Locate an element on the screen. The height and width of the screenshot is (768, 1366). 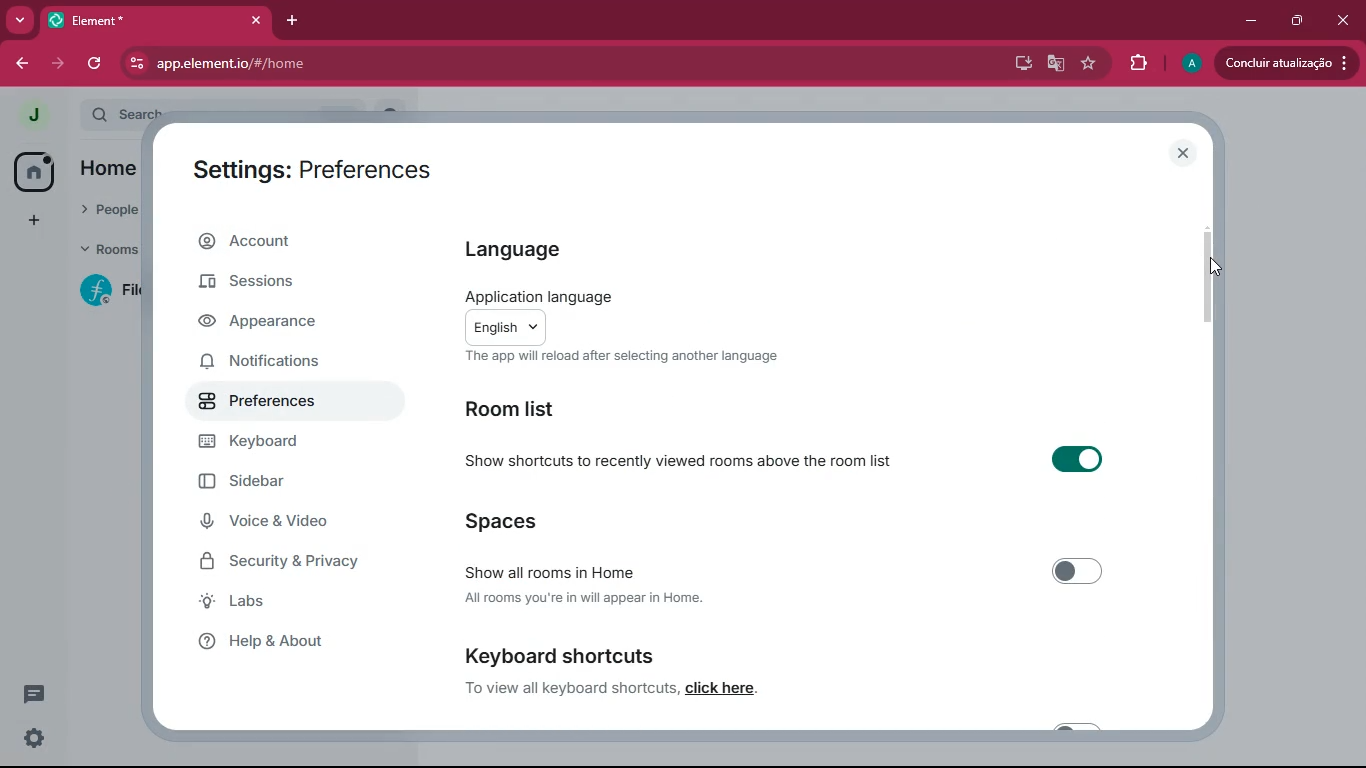
click here. is located at coordinates (723, 688).